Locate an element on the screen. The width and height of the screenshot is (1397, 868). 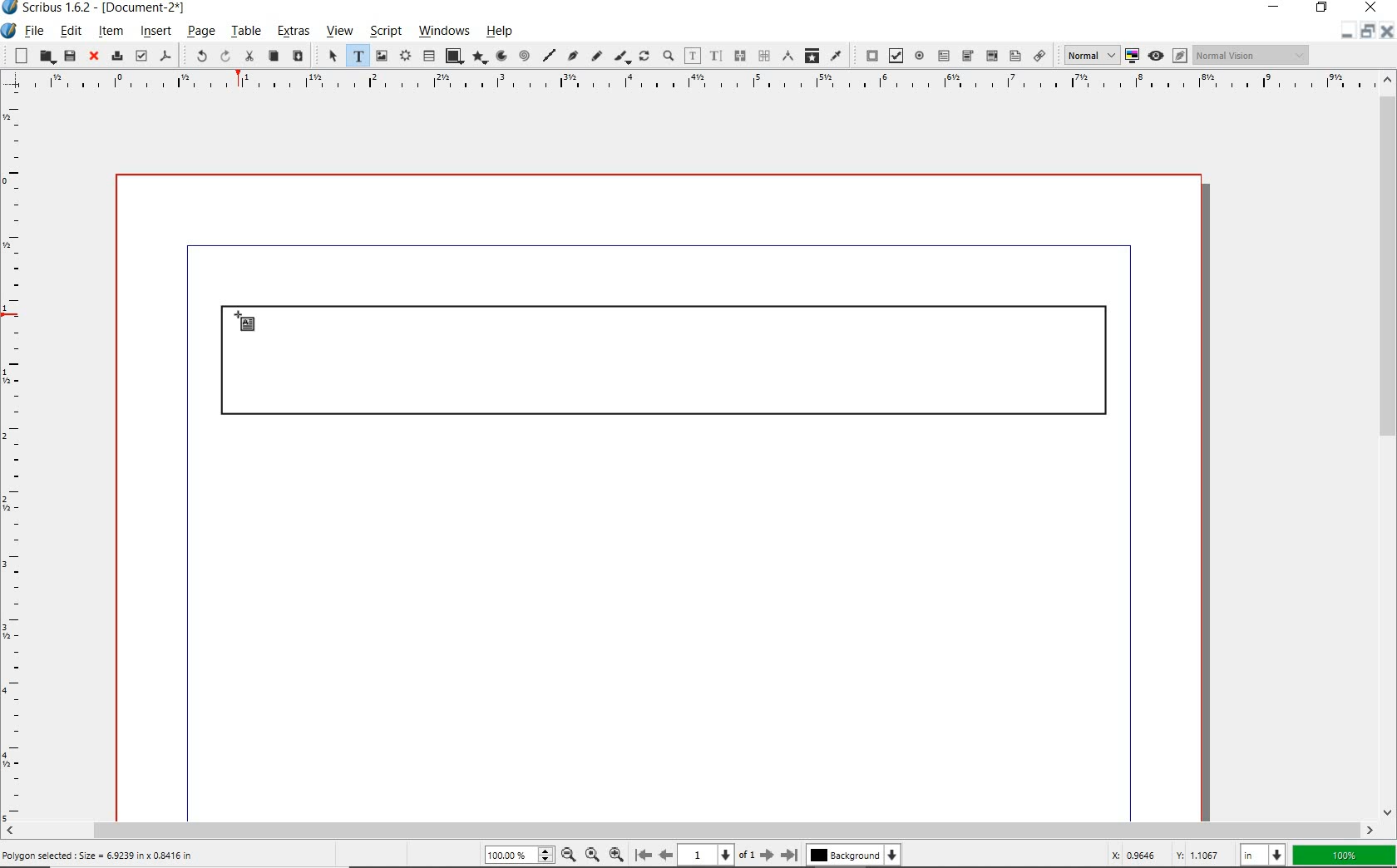
current page is located at coordinates (717, 855).